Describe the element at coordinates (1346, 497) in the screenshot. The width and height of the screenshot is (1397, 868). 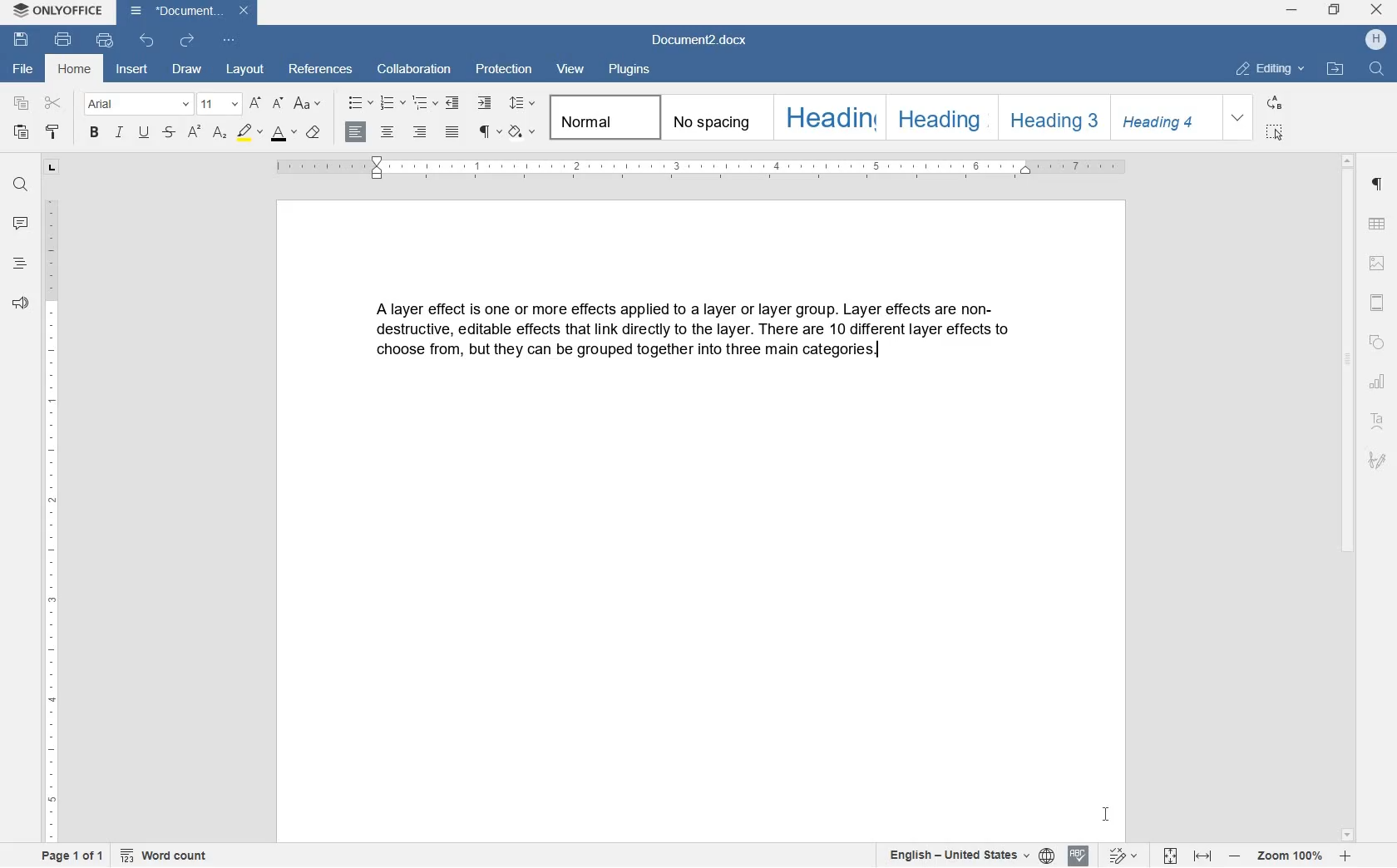
I see `scrollbar` at that location.